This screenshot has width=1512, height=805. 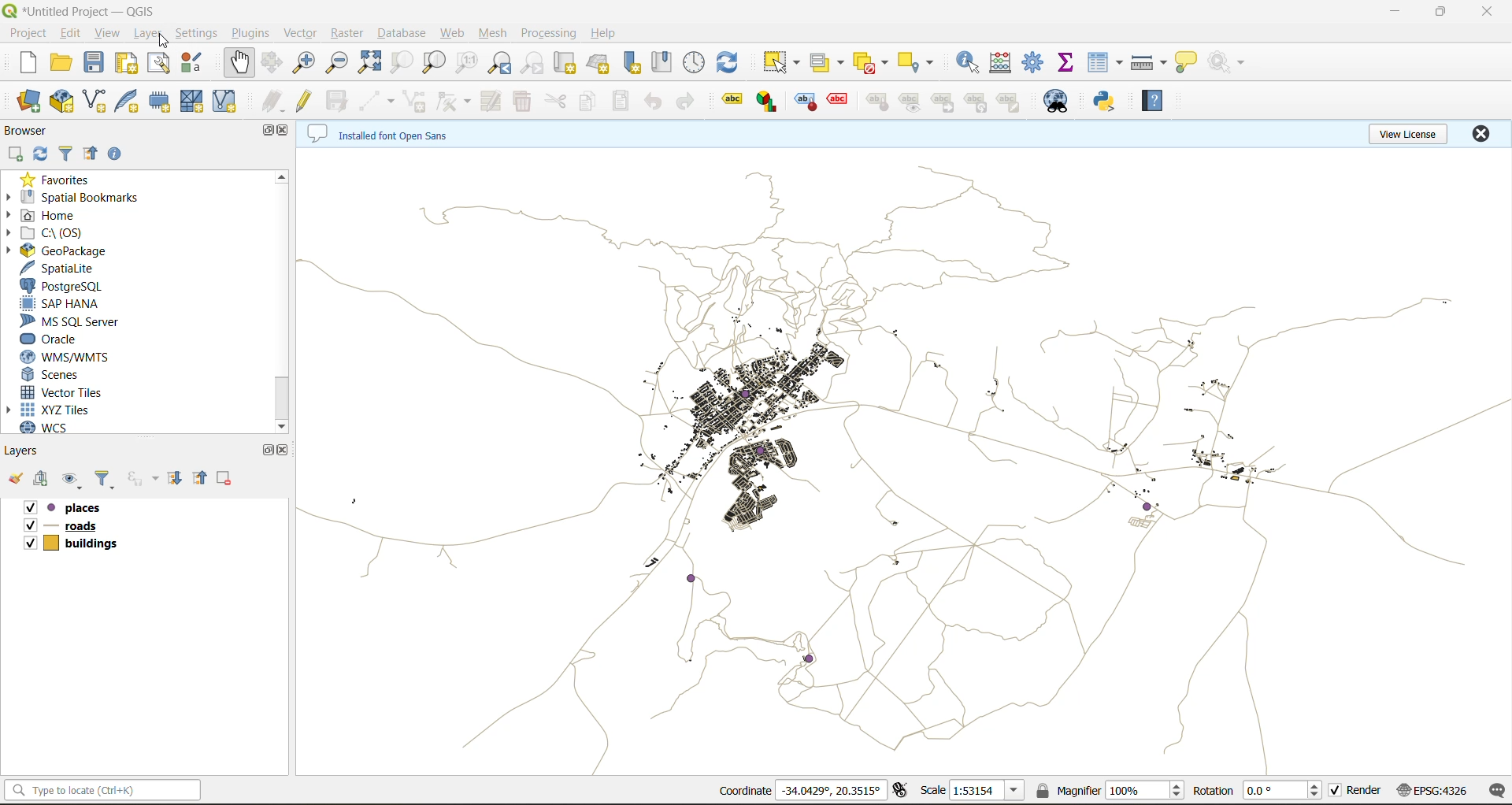 I want to click on open, so click(x=64, y=63).